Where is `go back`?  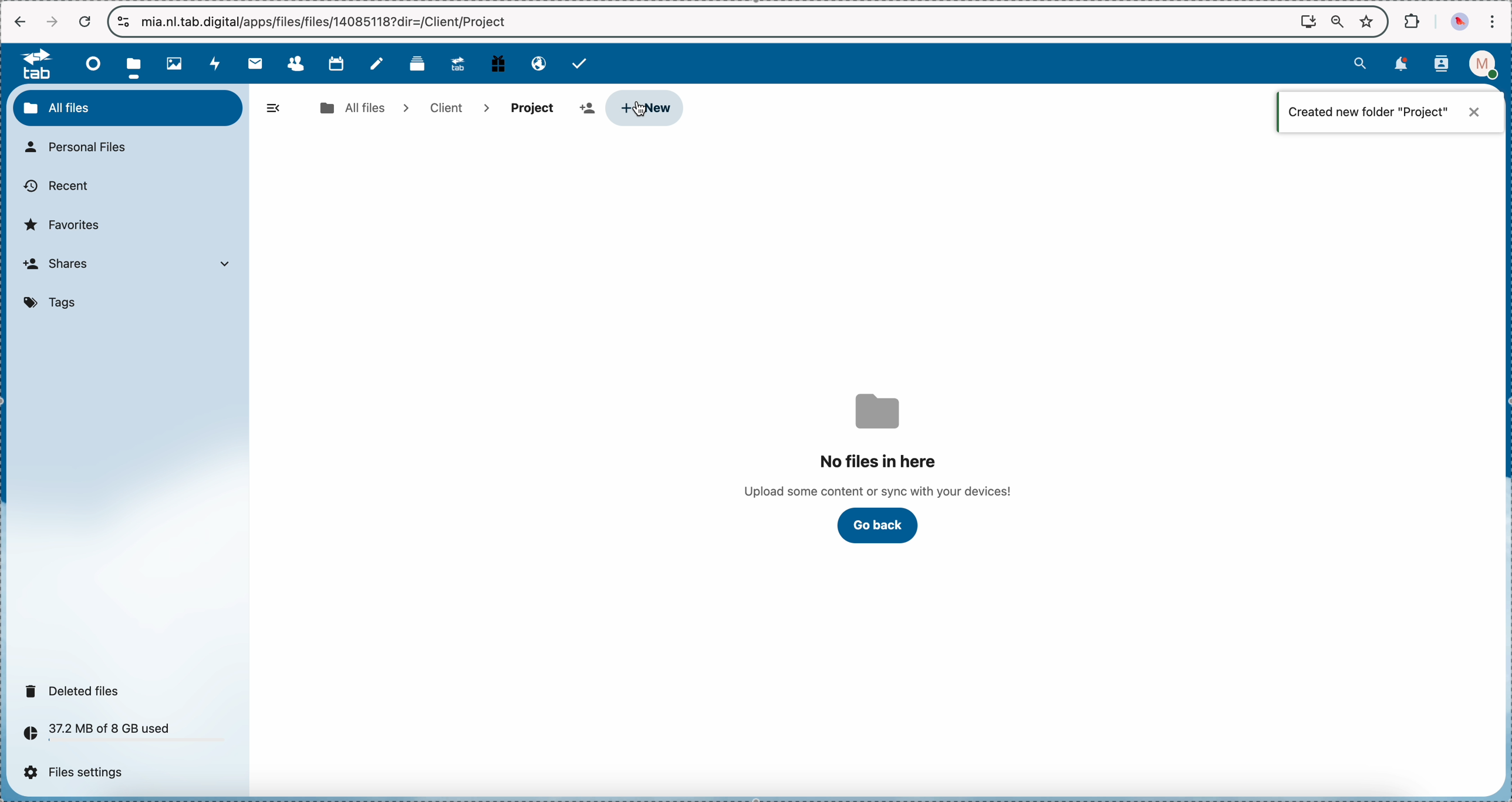 go back is located at coordinates (880, 525).